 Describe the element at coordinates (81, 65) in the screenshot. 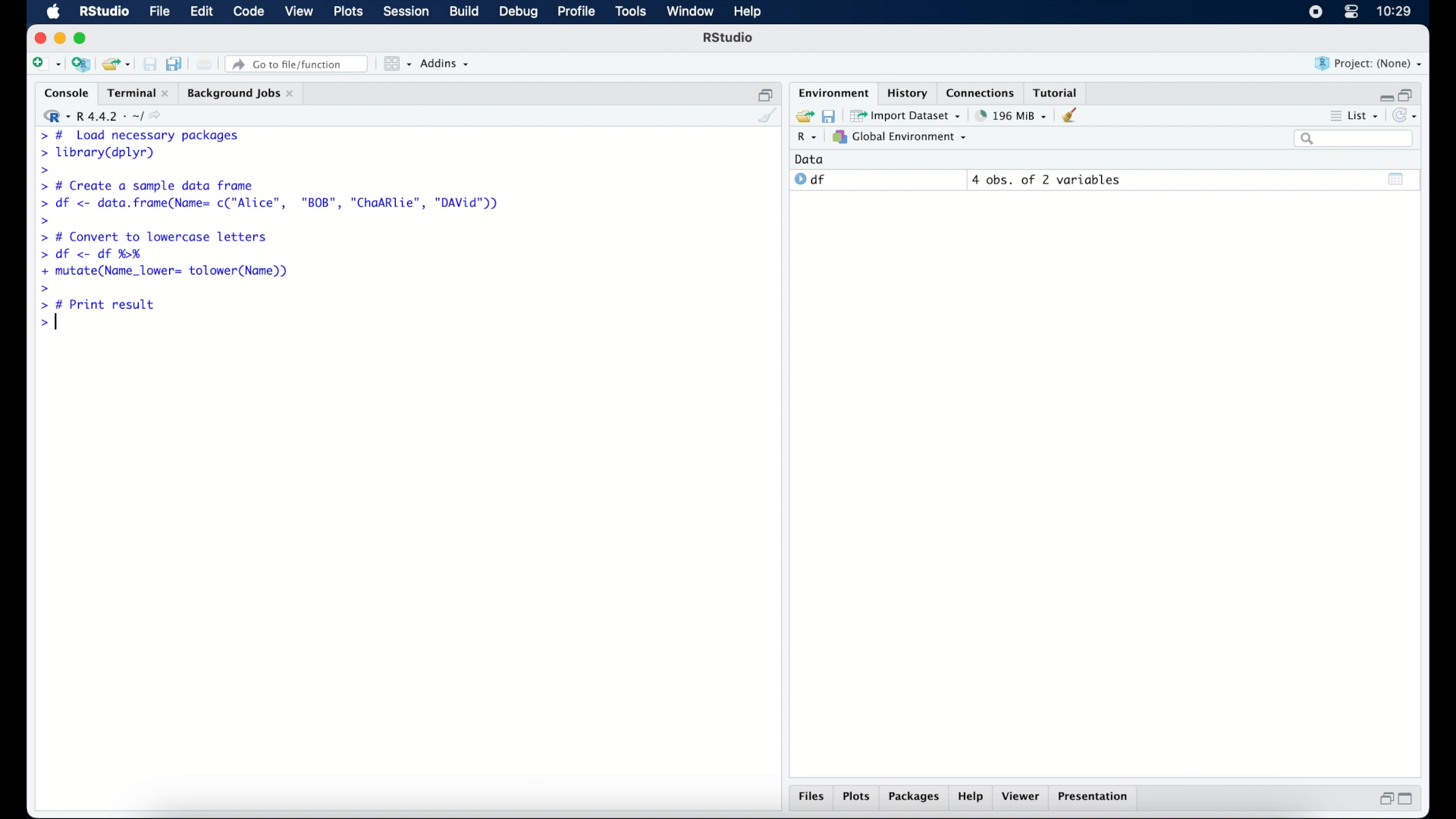

I see `create new project` at that location.